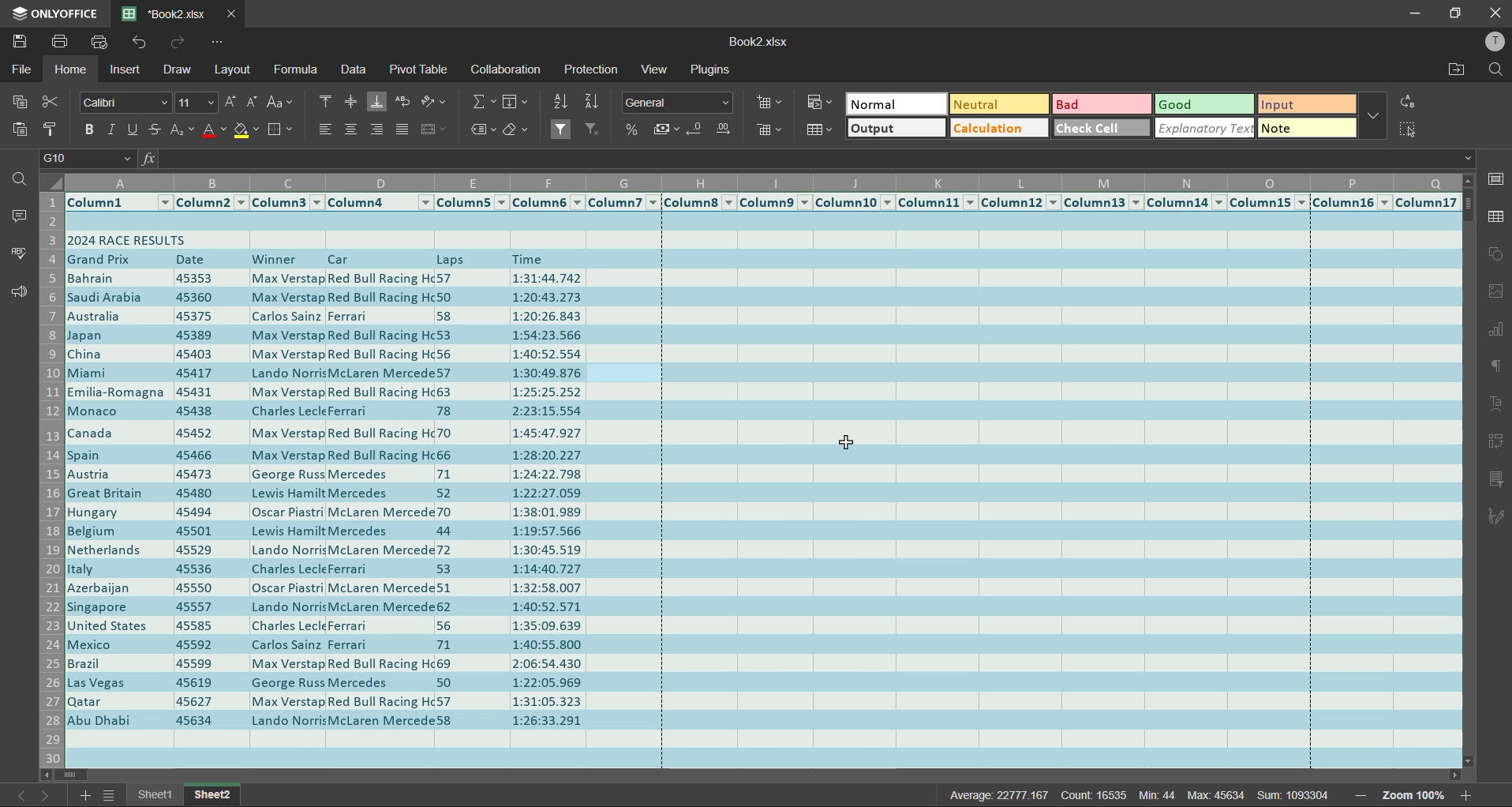 This screenshot has width=1512, height=807. I want to click on layout, so click(234, 71).